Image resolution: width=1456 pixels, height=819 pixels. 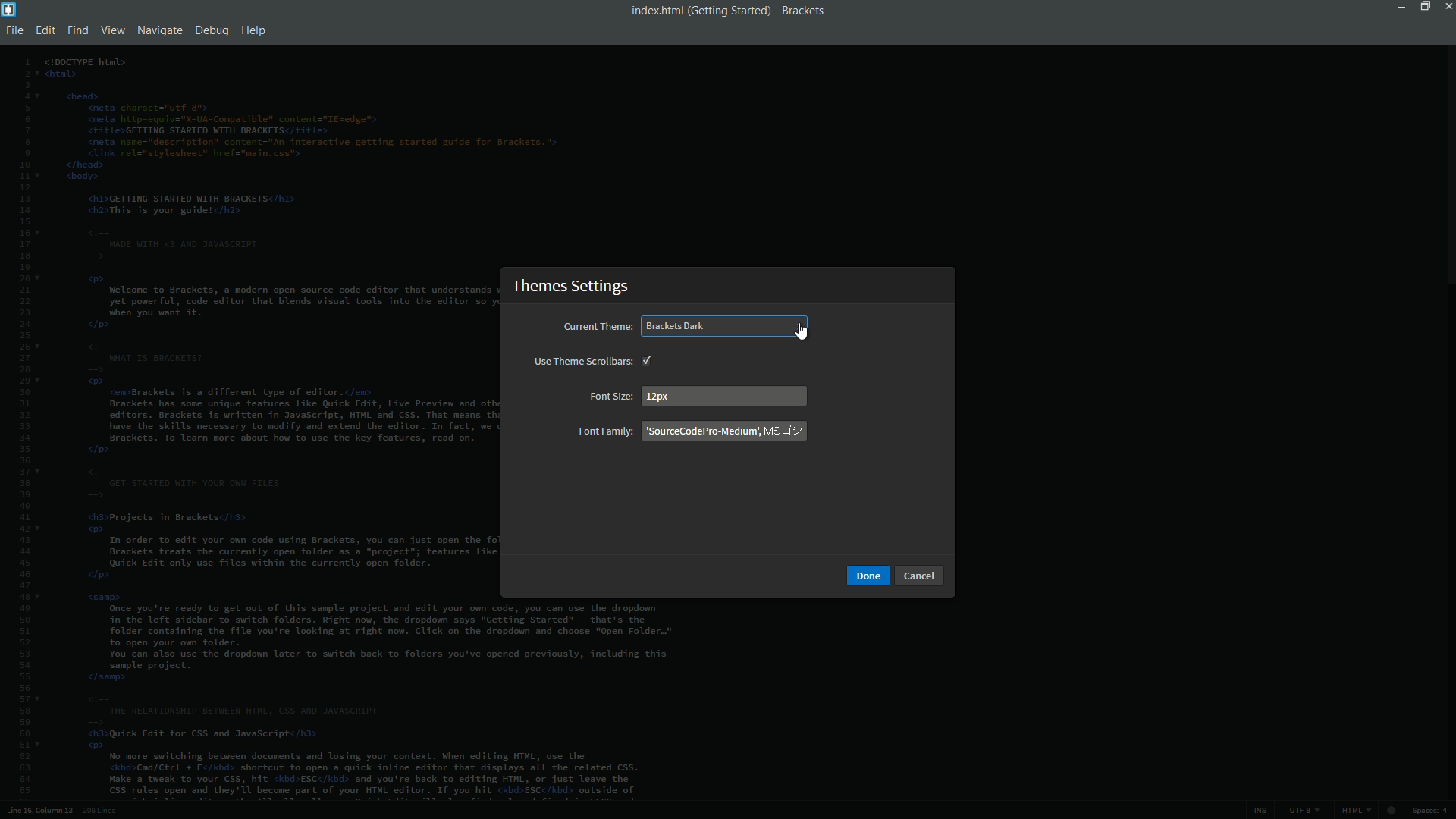 I want to click on font family, so click(x=604, y=432).